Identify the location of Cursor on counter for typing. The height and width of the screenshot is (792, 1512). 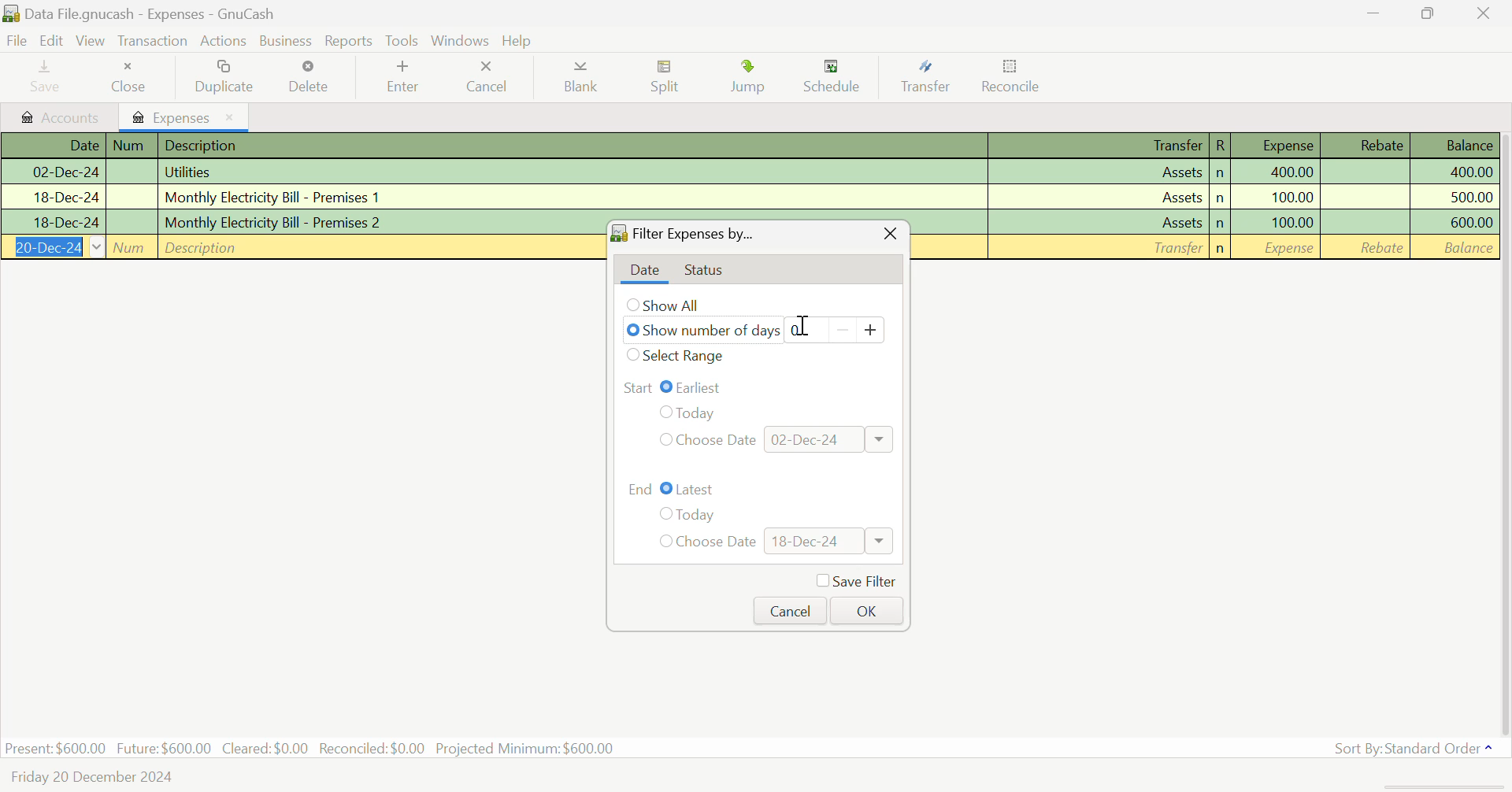
(799, 328).